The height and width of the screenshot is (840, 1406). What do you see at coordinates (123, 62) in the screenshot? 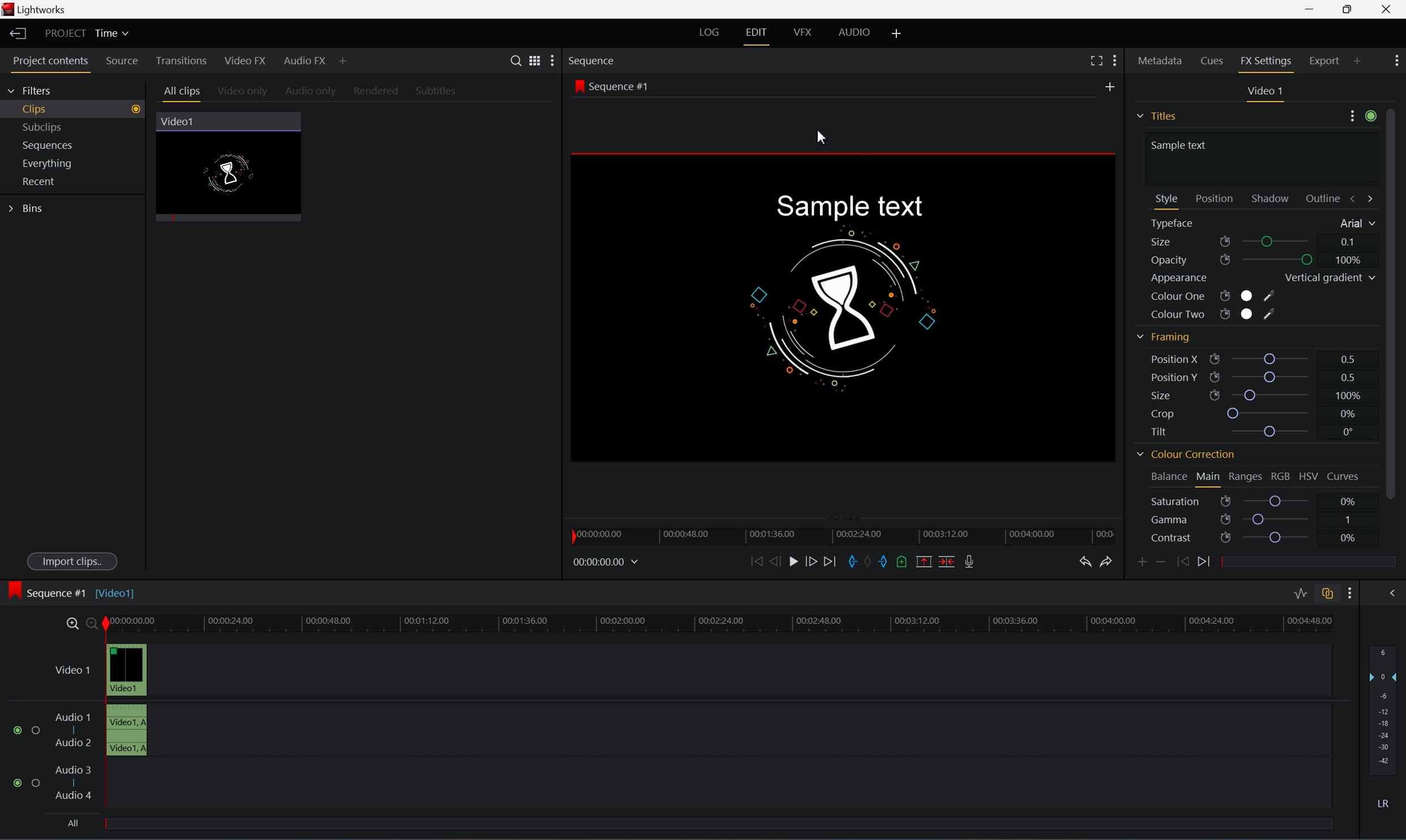
I see `source` at bounding box center [123, 62].